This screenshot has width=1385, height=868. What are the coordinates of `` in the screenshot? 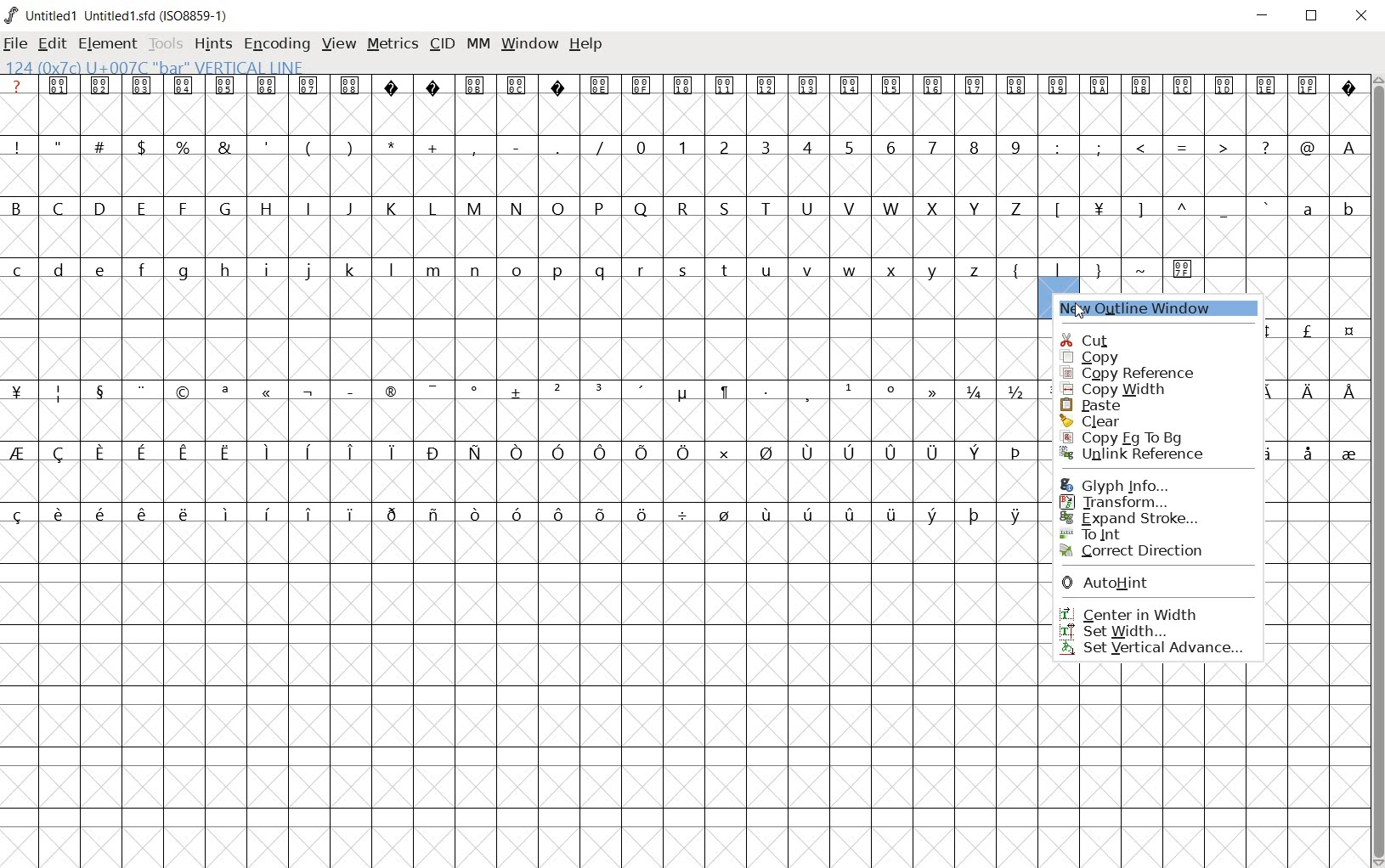 It's located at (1320, 358).